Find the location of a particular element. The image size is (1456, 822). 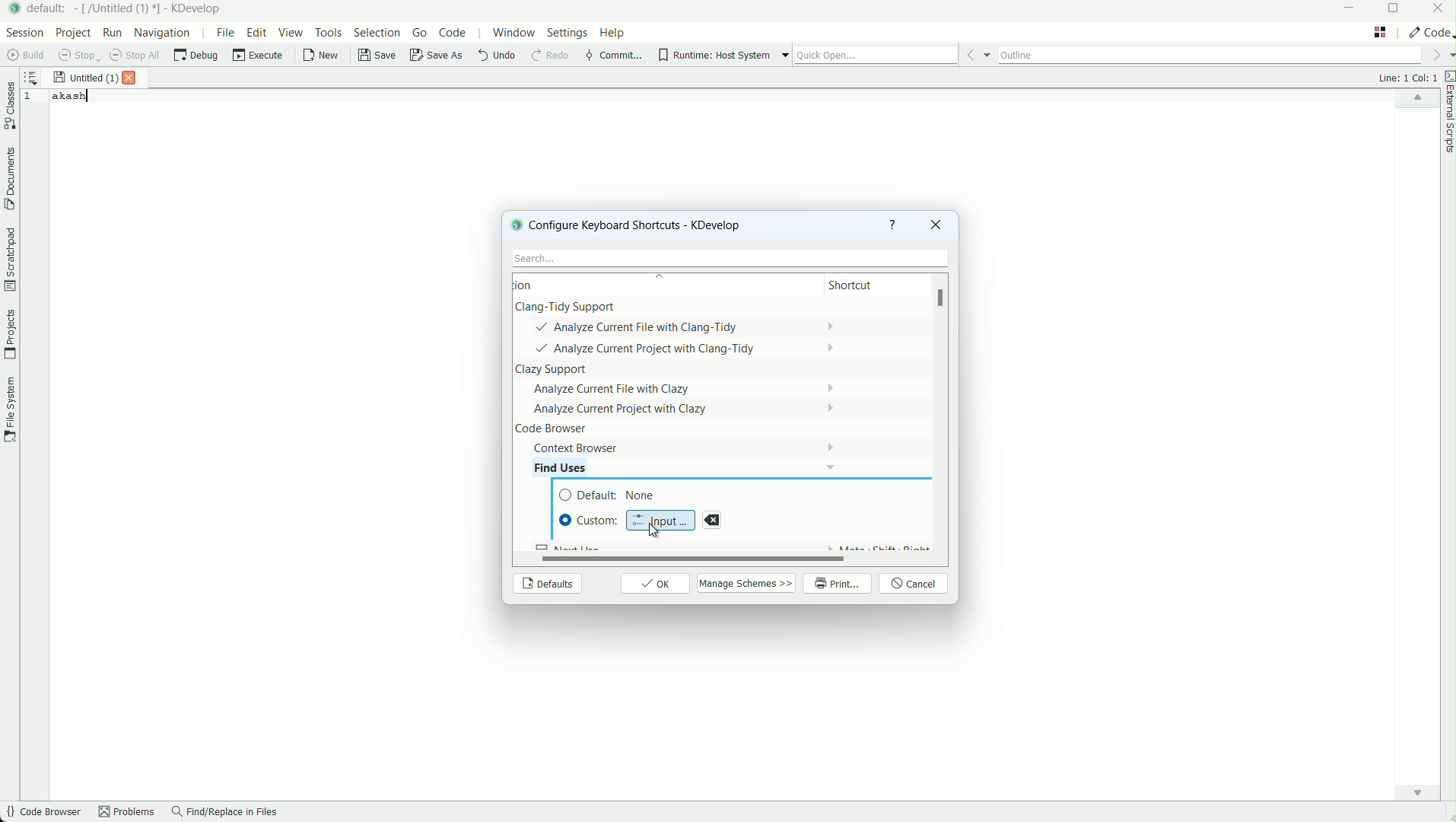

quick open is located at coordinates (876, 56).